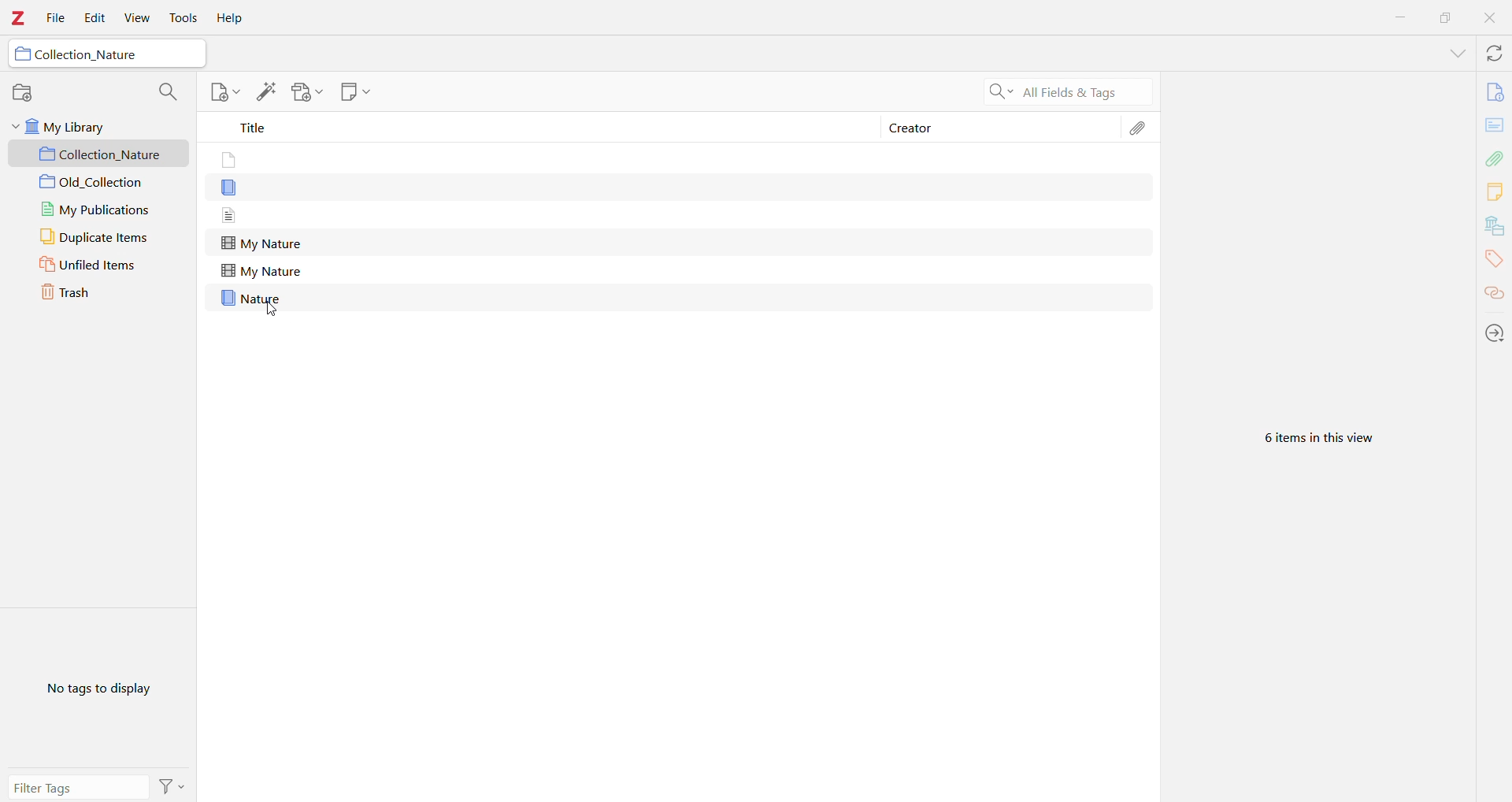 Image resolution: width=1512 pixels, height=802 pixels. What do you see at coordinates (1447, 17) in the screenshot?
I see `Restore Down` at bounding box center [1447, 17].